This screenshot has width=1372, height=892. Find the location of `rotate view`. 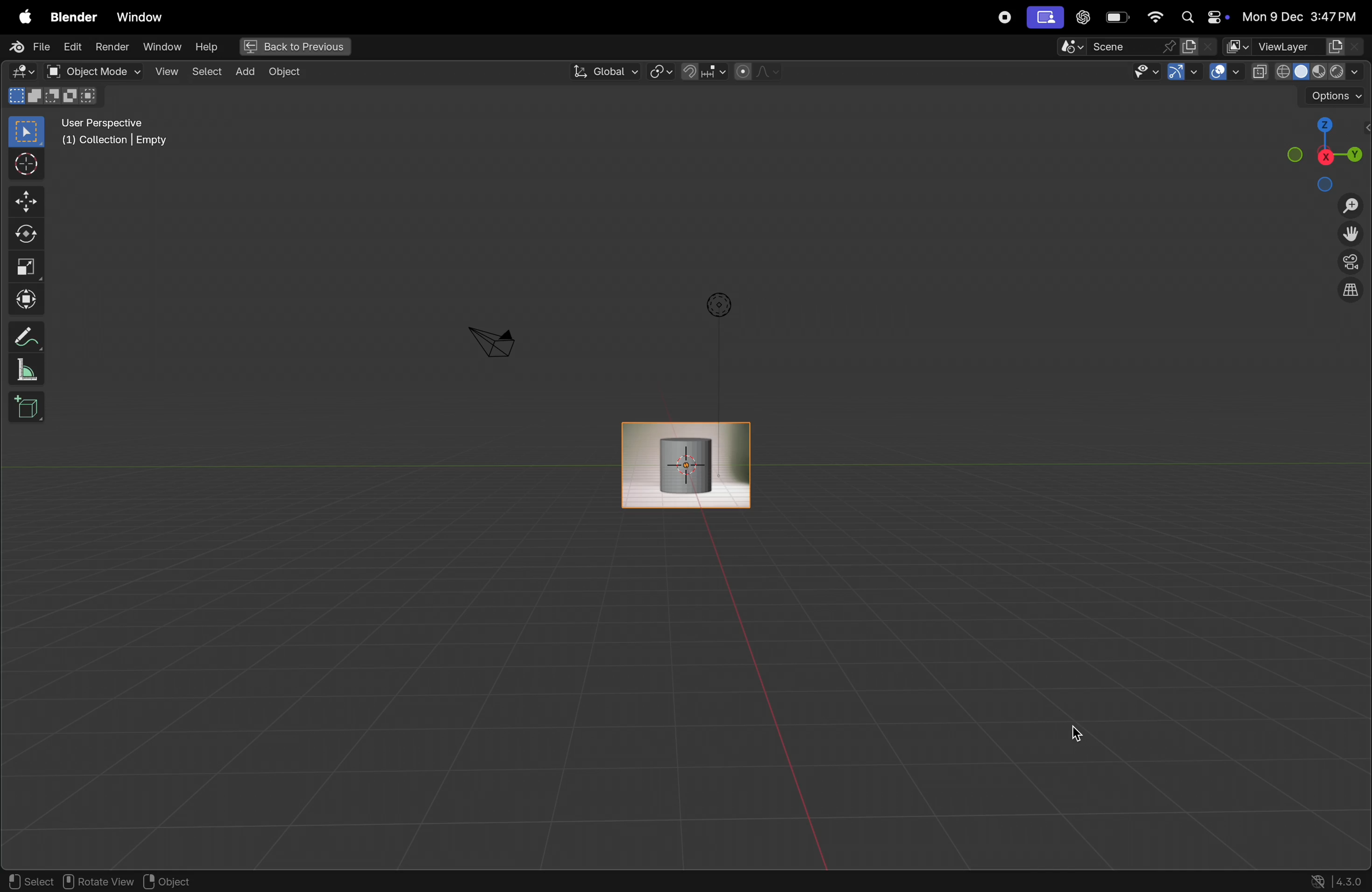

rotate view is located at coordinates (101, 882).